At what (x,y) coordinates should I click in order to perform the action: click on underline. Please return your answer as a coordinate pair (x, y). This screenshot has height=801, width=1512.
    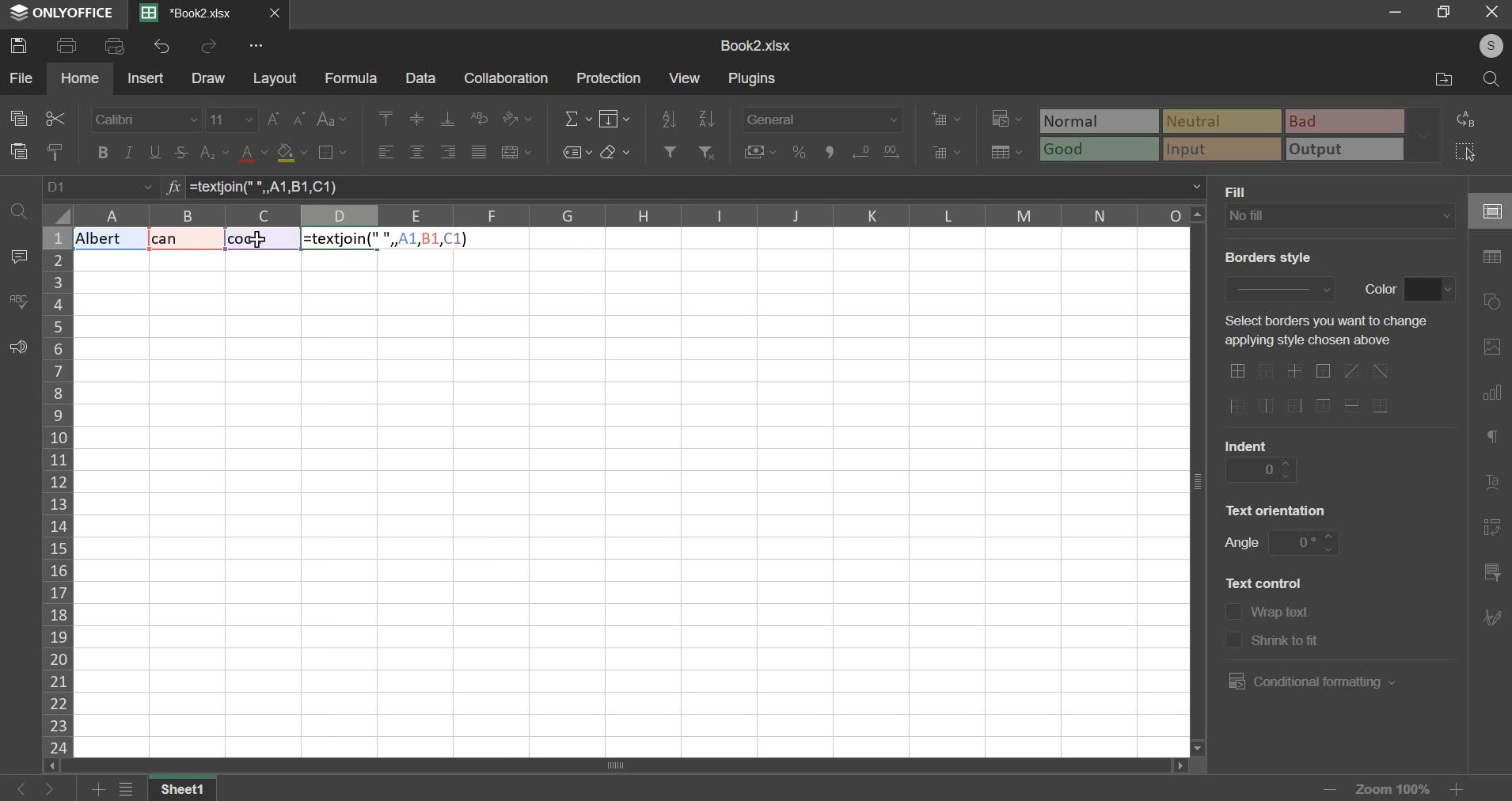
    Looking at the image, I should click on (156, 152).